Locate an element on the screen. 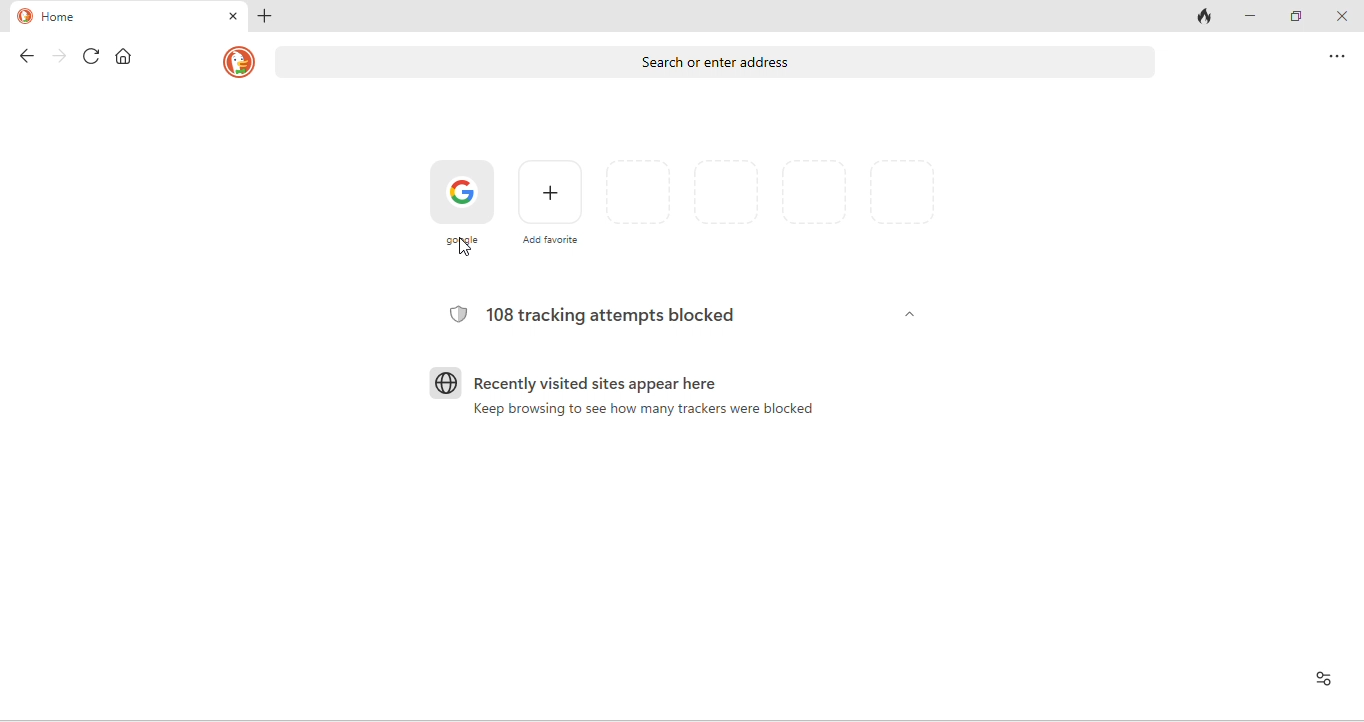 The image size is (1364, 722). option is located at coordinates (1336, 60).